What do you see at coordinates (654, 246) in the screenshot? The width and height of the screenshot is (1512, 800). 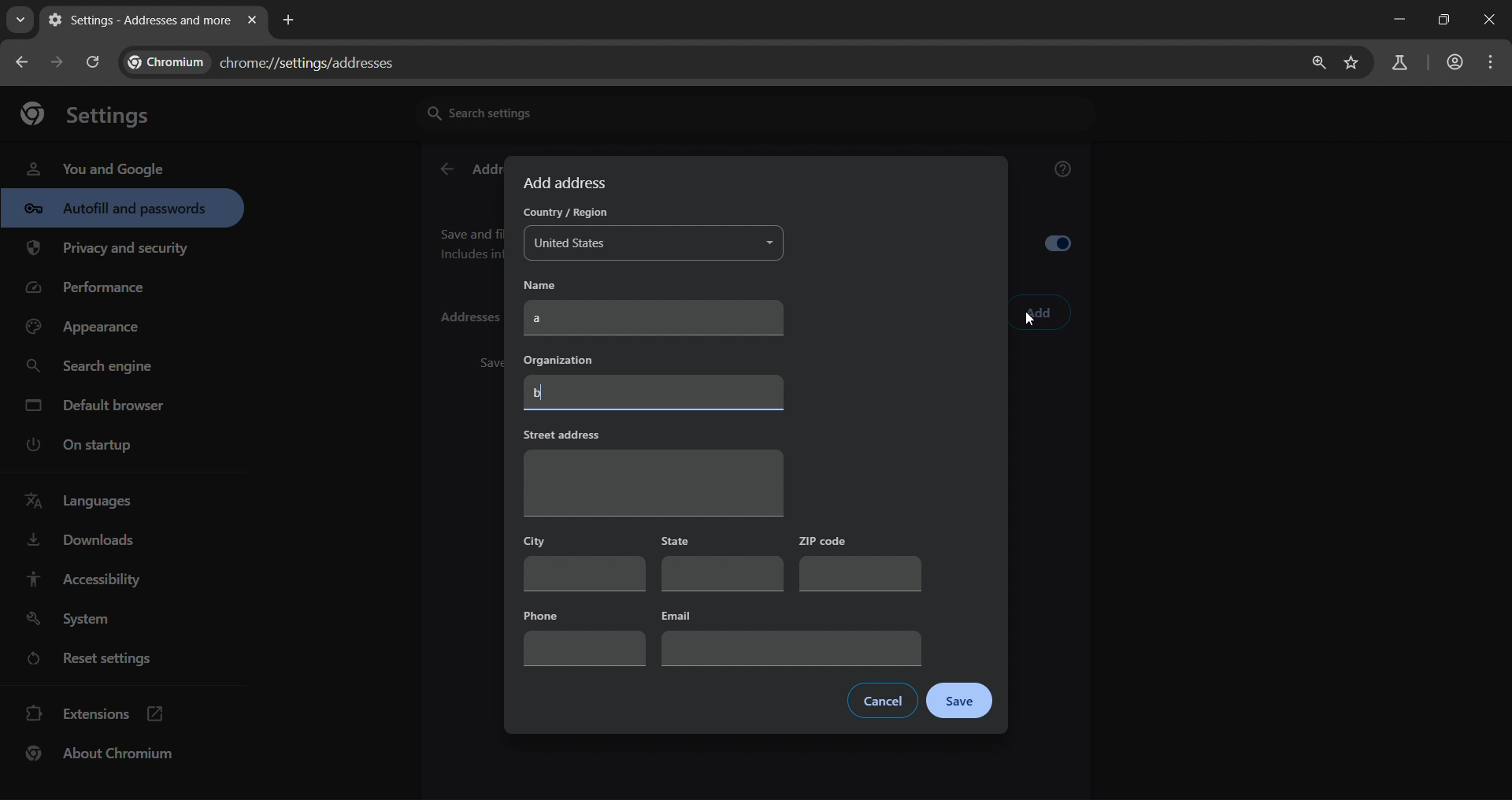 I see `united states` at bounding box center [654, 246].